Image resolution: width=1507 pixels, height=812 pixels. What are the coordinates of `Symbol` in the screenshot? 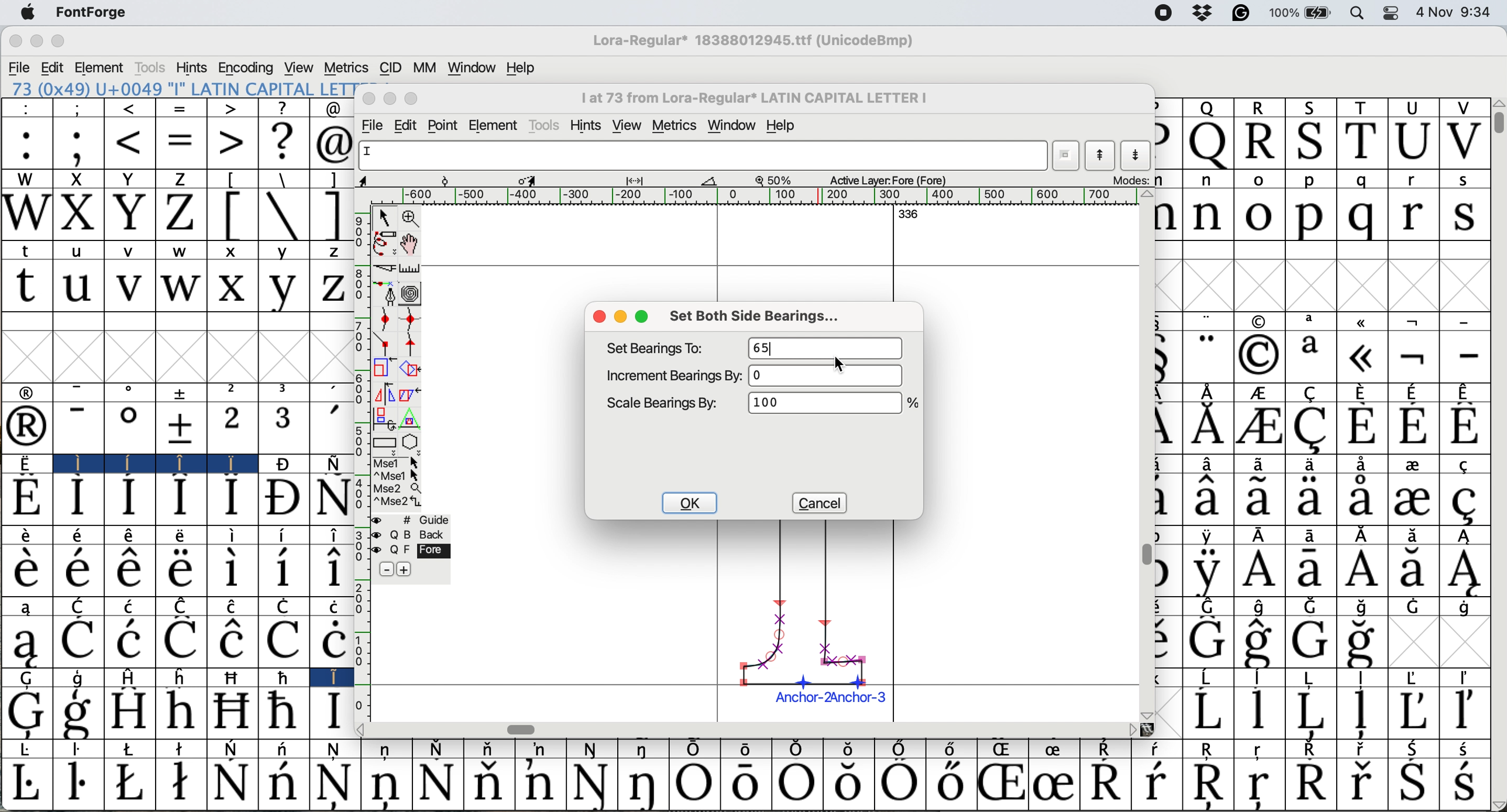 It's located at (387, 784).